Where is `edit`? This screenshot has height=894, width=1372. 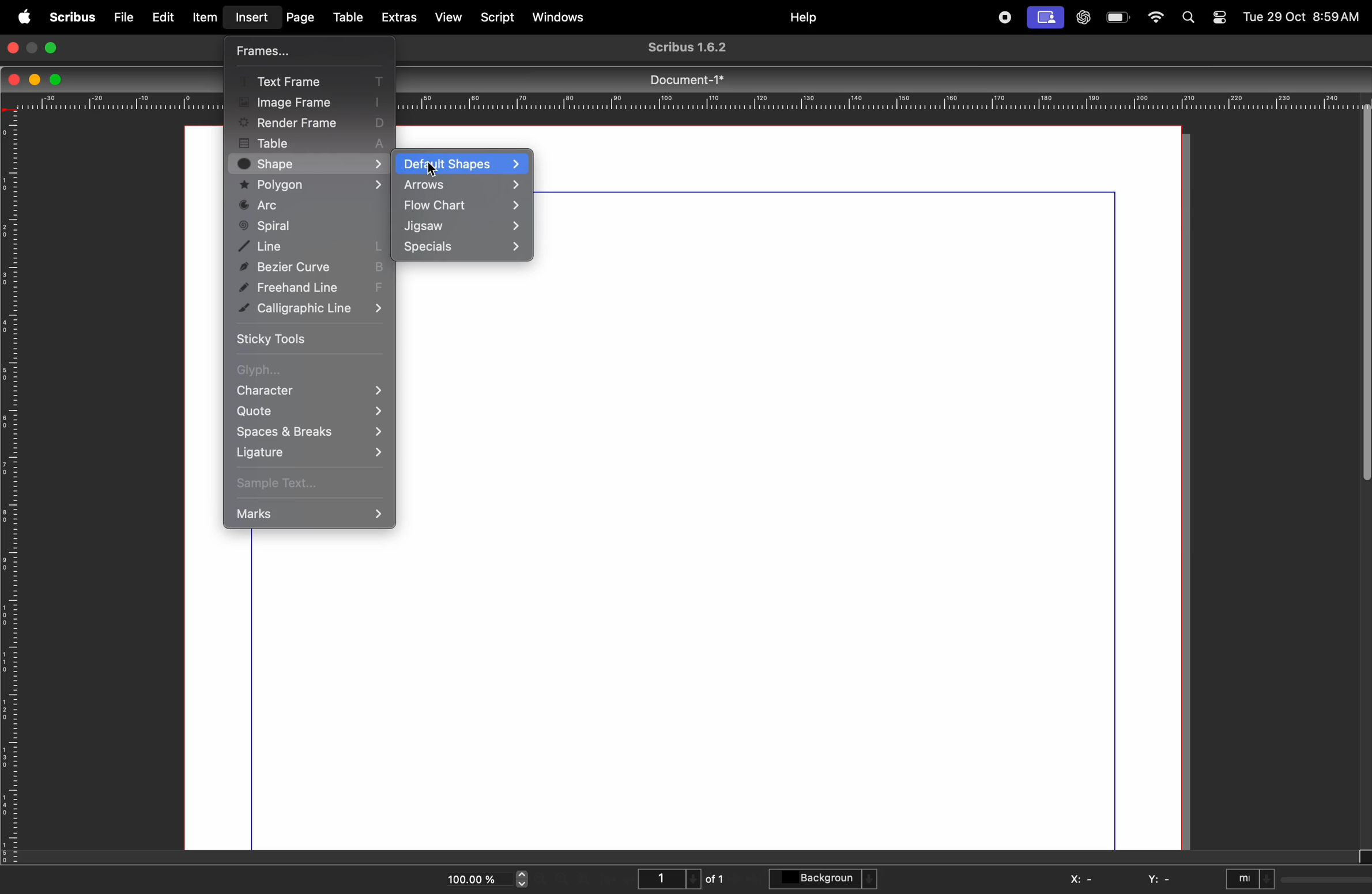
edit is located at coordinates (163, 16).